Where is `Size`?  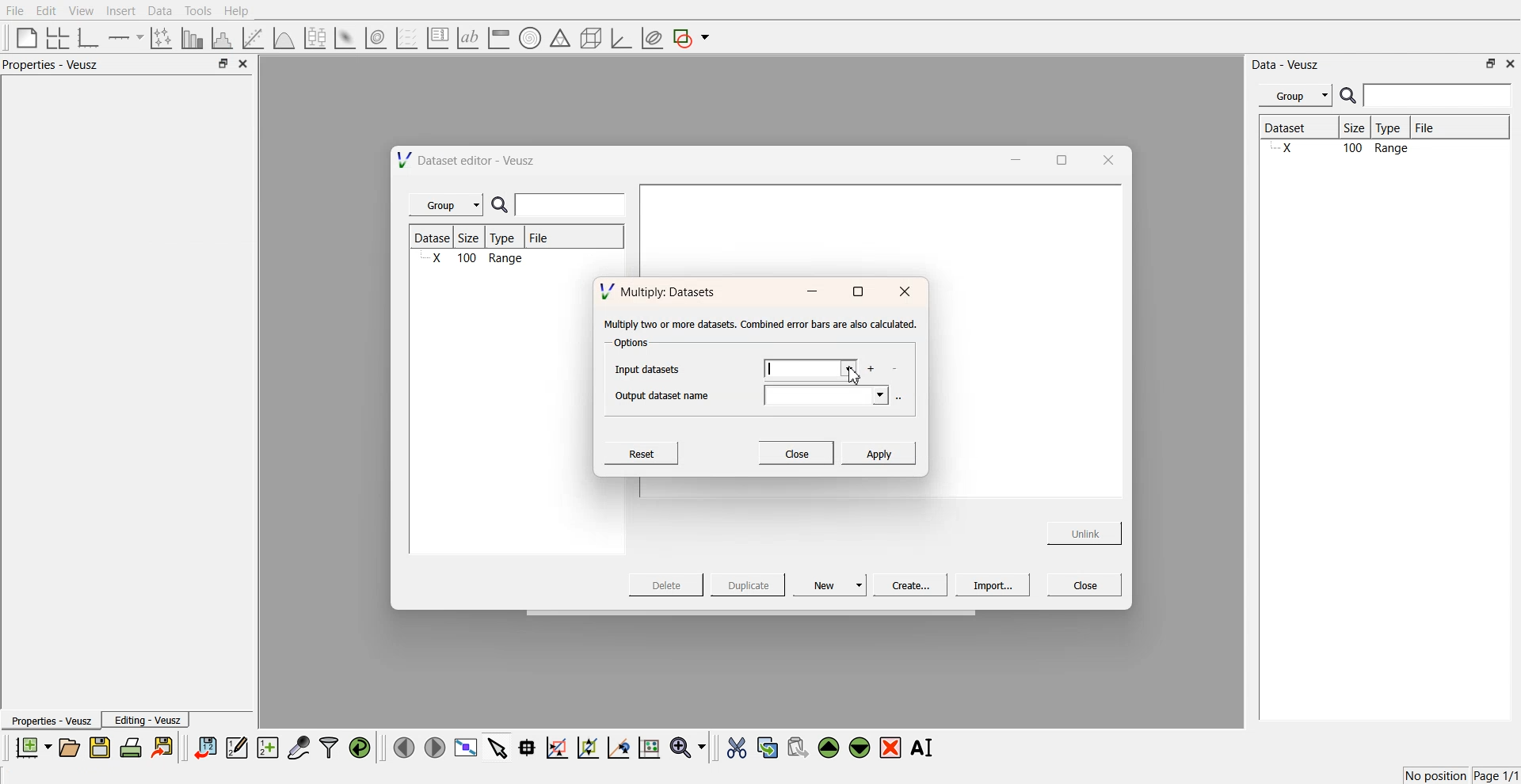 Size is located at coordinates (1359, 129).